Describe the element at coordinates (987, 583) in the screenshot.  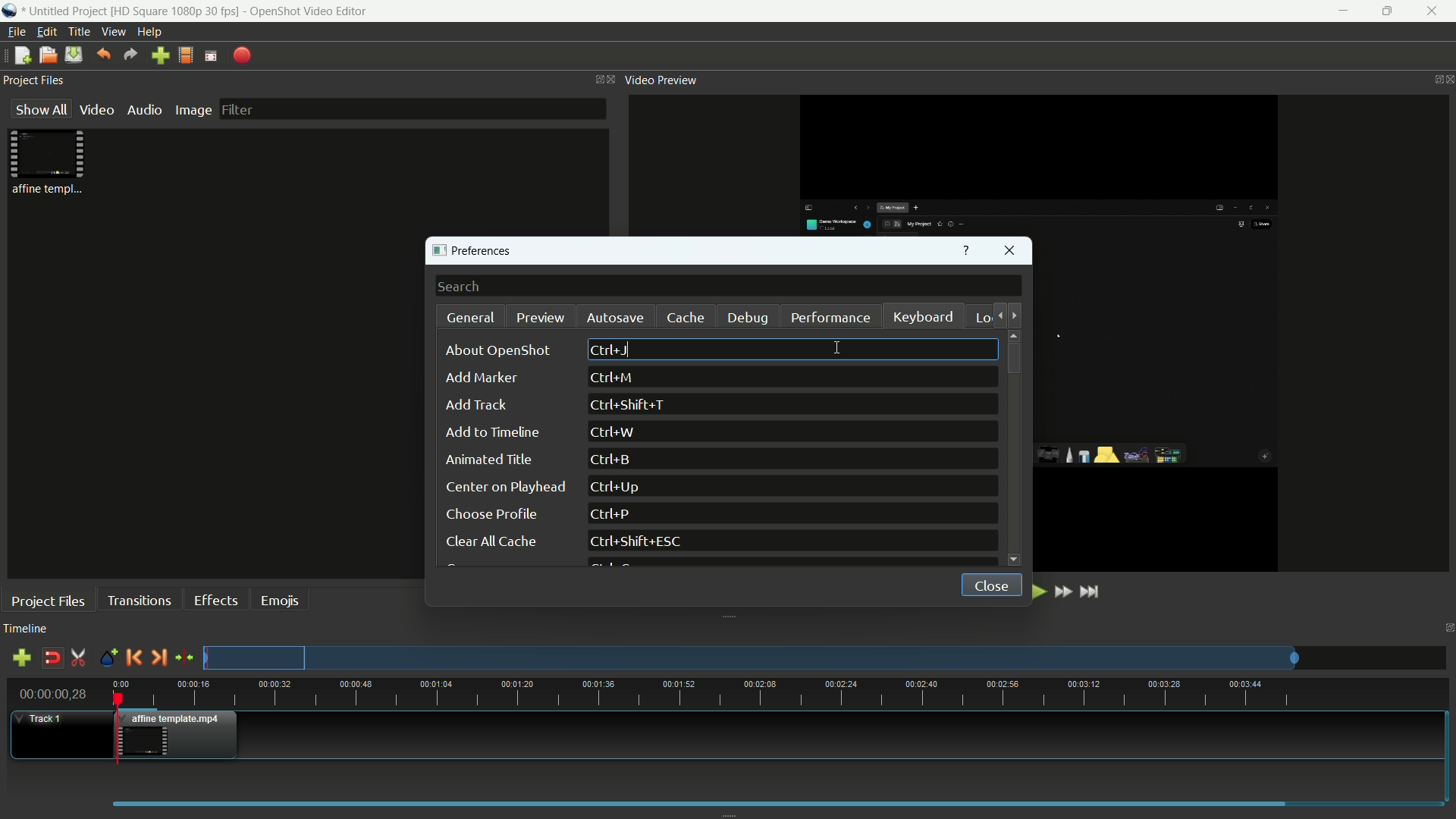
I see `close` at that location.